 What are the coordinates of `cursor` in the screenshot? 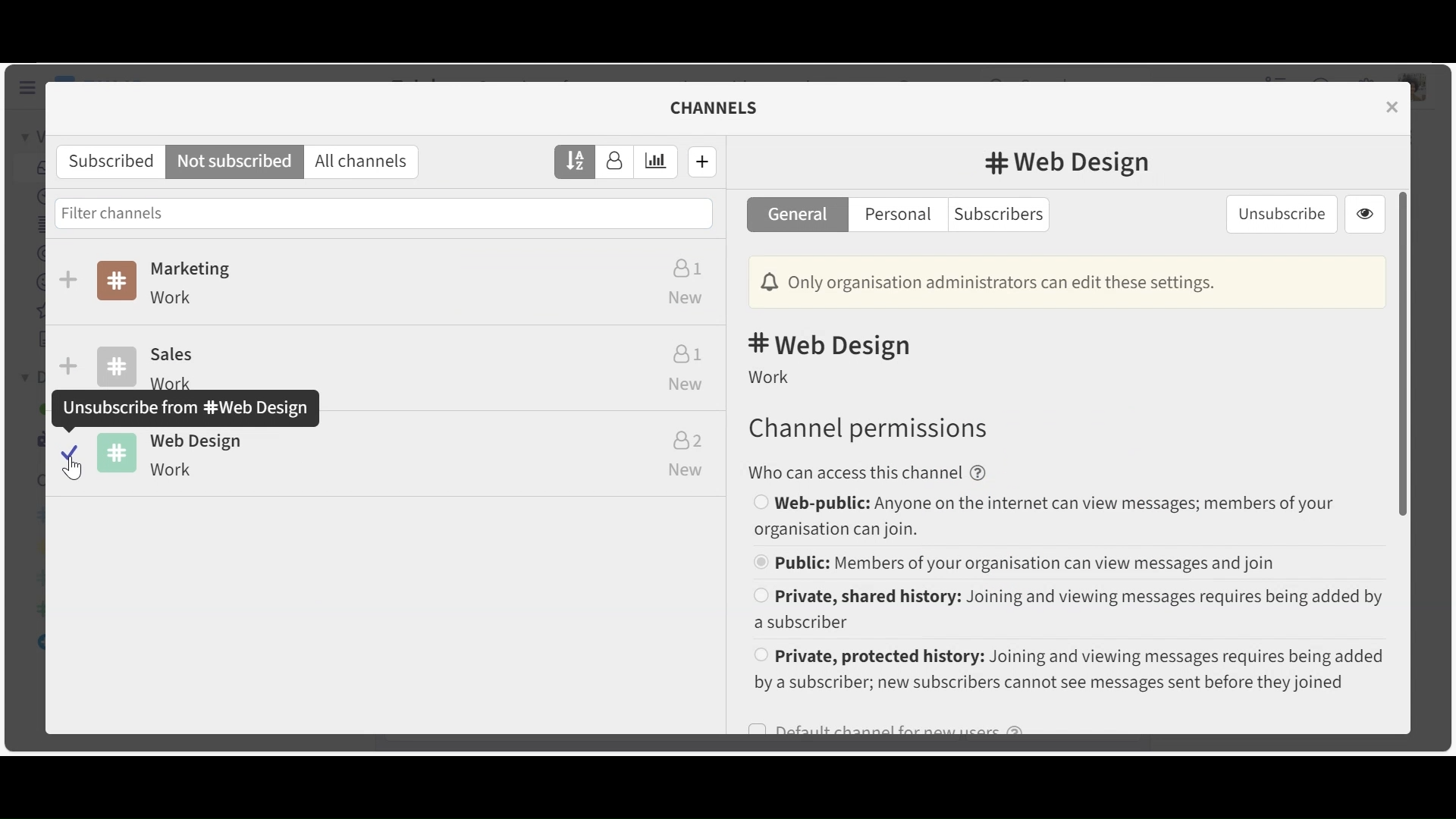 It's located at (71, 475).